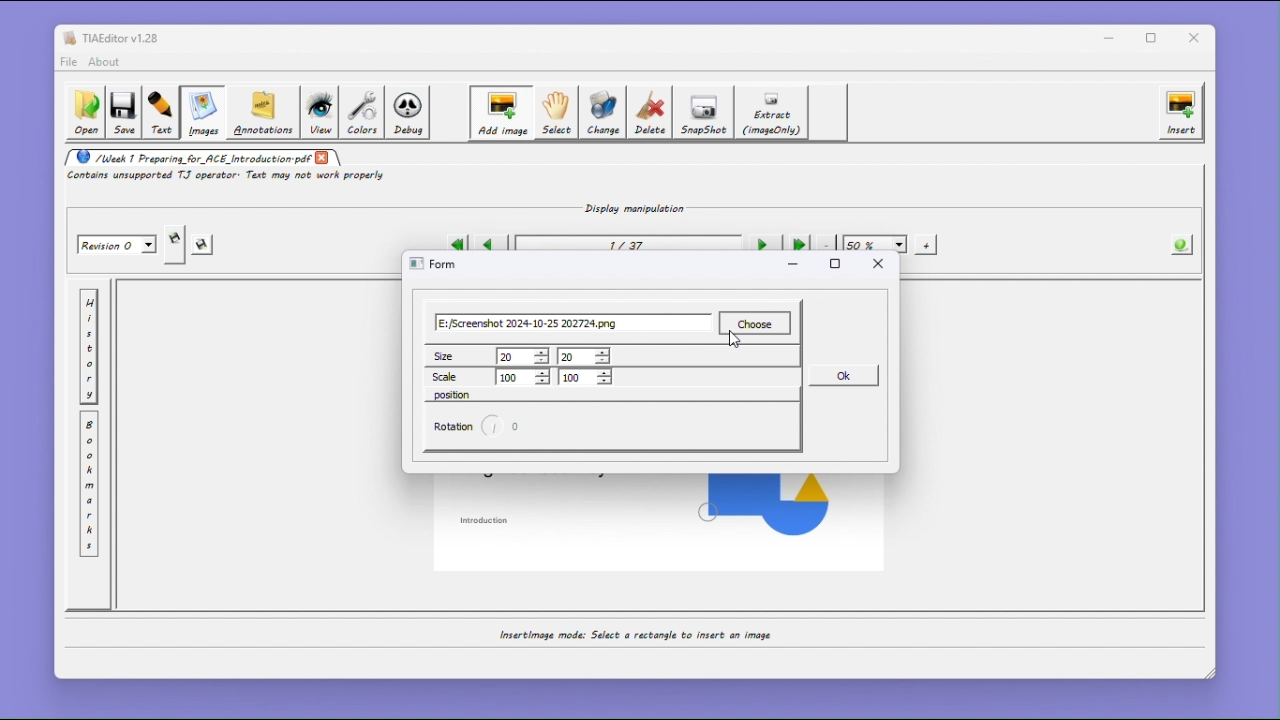 Image resolution: width=1280 pixels, height=720 pixels. What do you see at coordinates (459, 355) in the screenshot?
I see `size` at bounding box center [459, 355].